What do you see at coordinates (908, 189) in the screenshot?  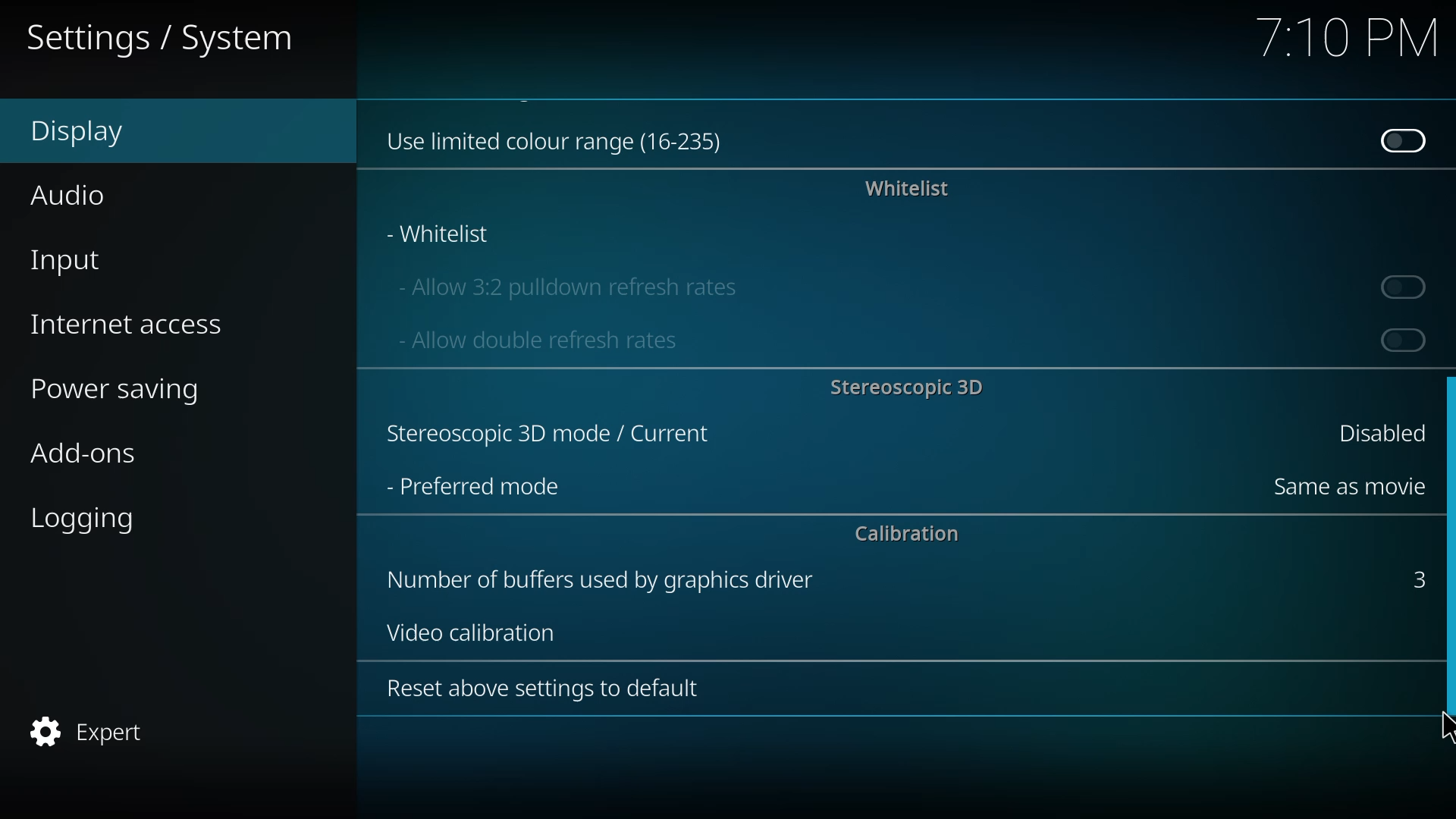 I see `whitelist` at bounding box center [908, 189].